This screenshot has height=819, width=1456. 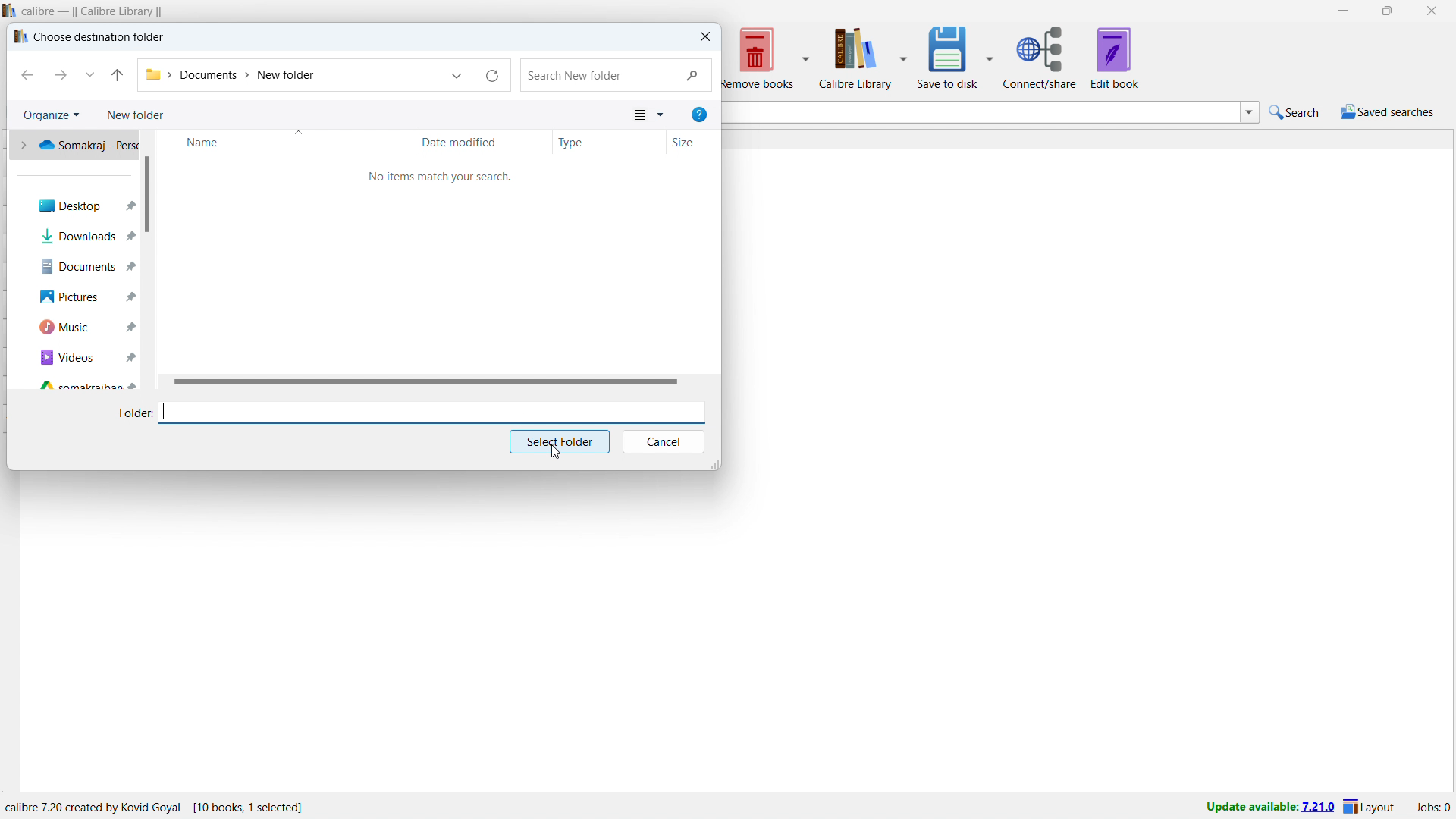 What do you see at coordinates (148, 194) in the screenshot?
I see `vertical scrollbar` at bounding box center [148, 194].